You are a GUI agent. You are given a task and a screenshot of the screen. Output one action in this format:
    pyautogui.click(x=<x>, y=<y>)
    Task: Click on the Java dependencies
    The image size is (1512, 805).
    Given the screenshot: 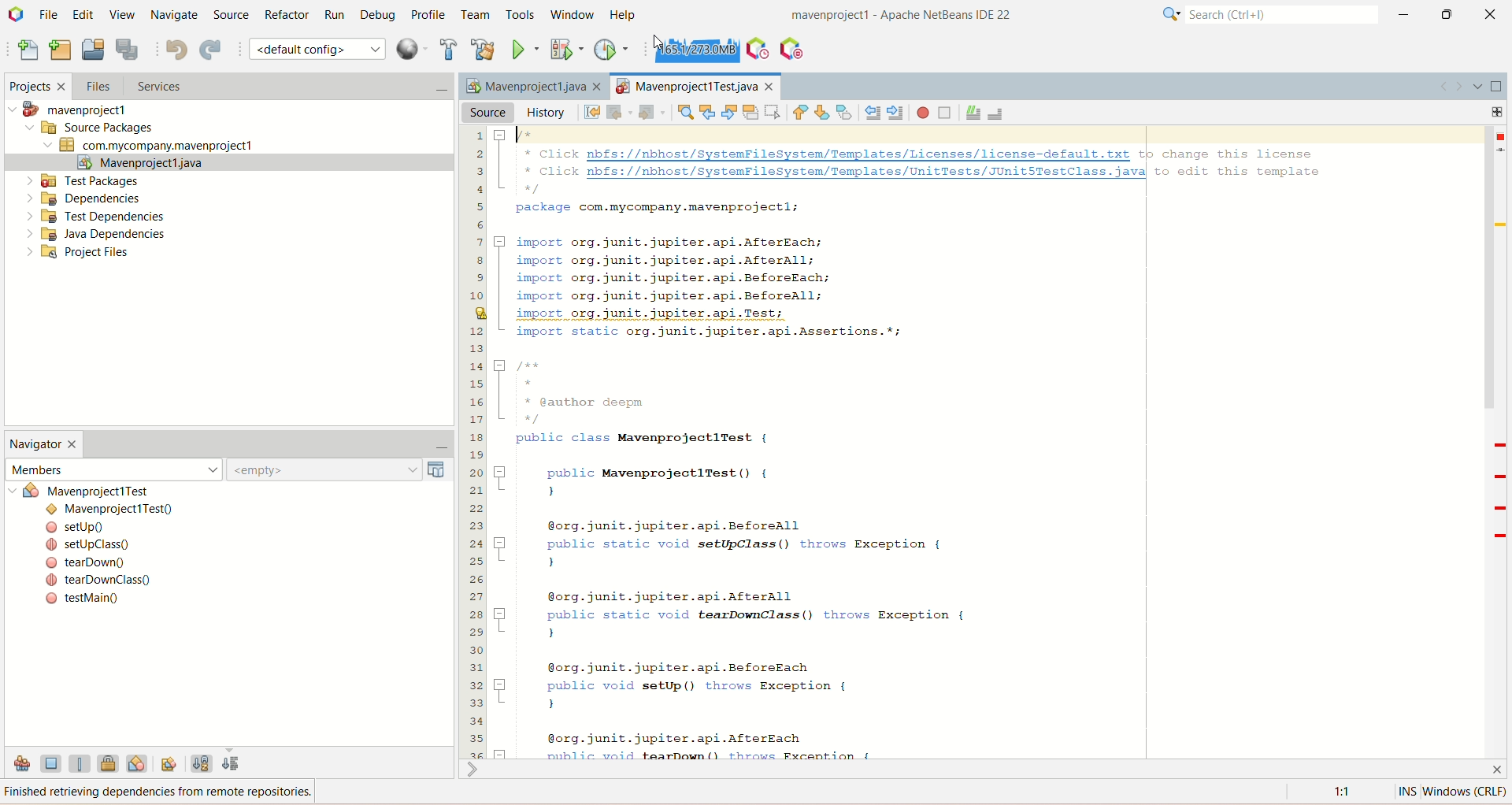 What is the action you would take?
    pyautogui.click(x=102, y=233)
    